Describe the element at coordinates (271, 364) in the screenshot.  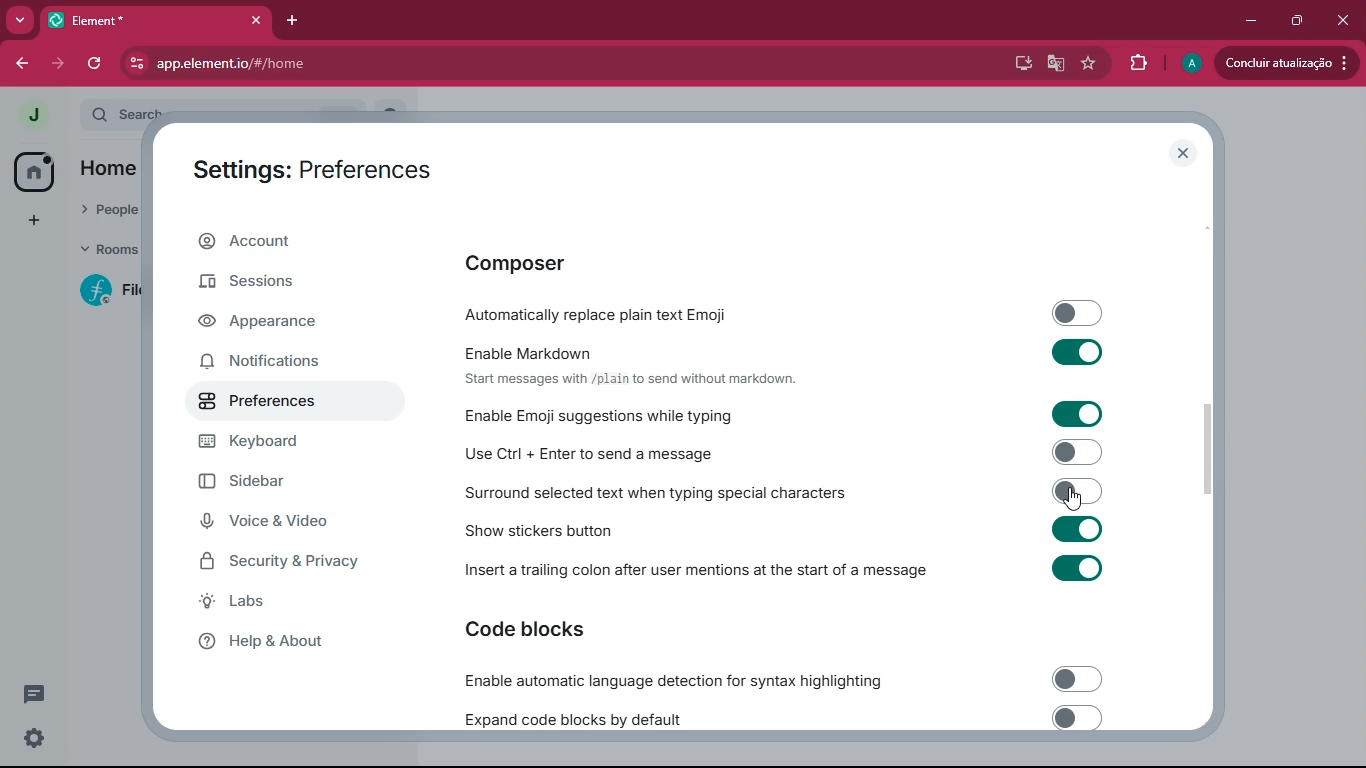
I see `notifications` at that location.